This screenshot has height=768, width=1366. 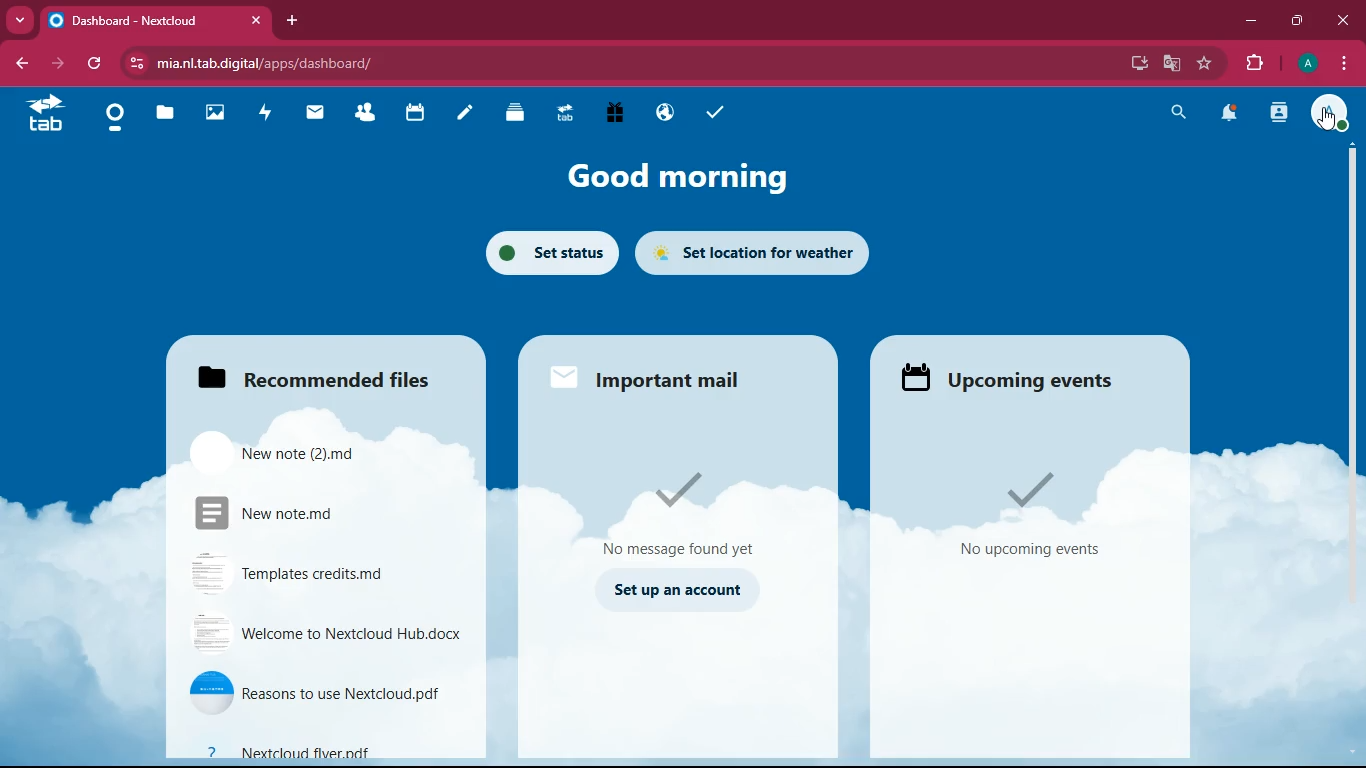 What do you see at coordinates (266, 112) in the screenshot?
I see `activity` at bounding box center [266, 112].